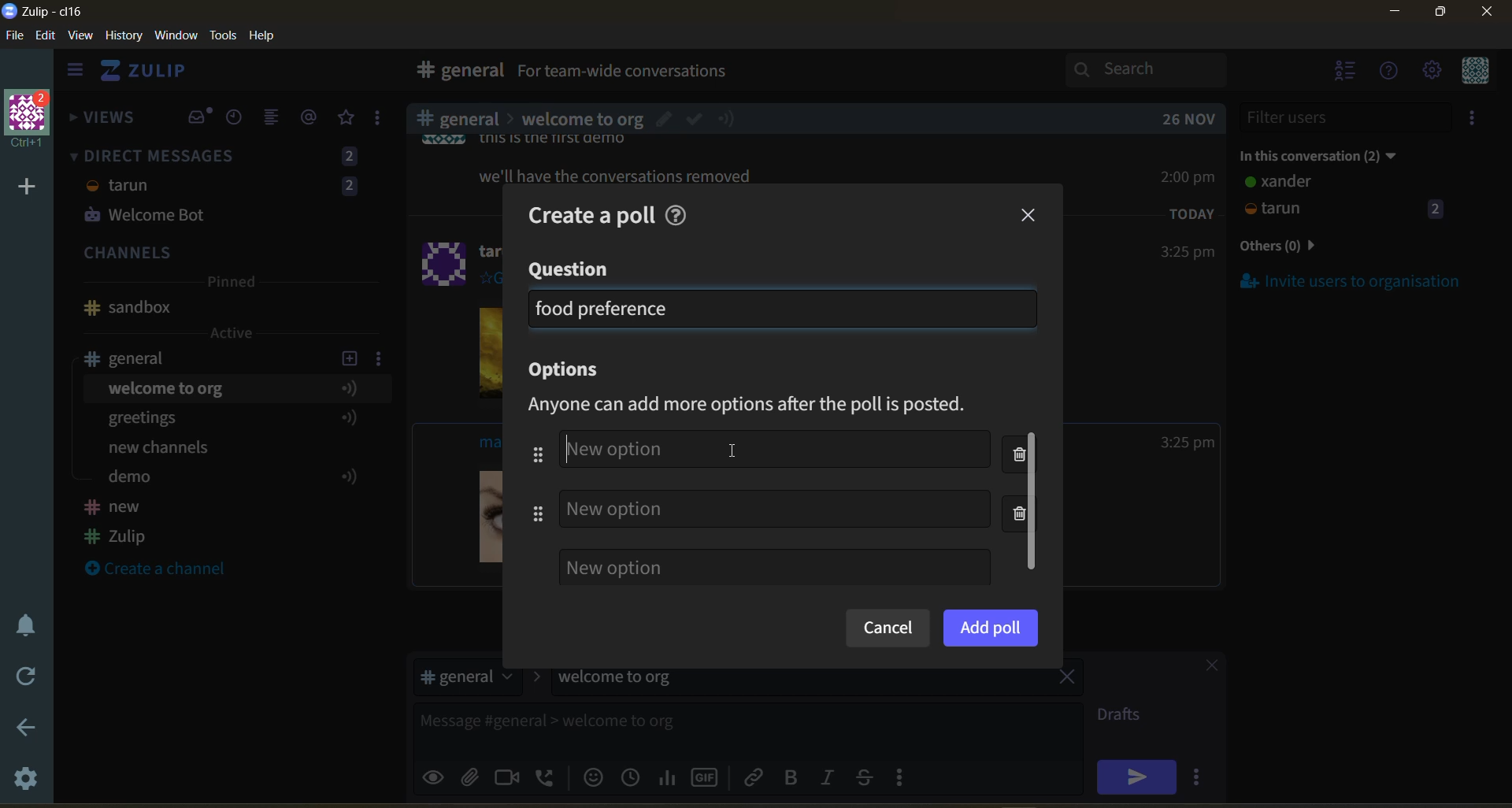 This screenshot has height=808, width=1512. Describe the element at coordinates (991, 627) in the screenshot. I see `add poll` at that location.